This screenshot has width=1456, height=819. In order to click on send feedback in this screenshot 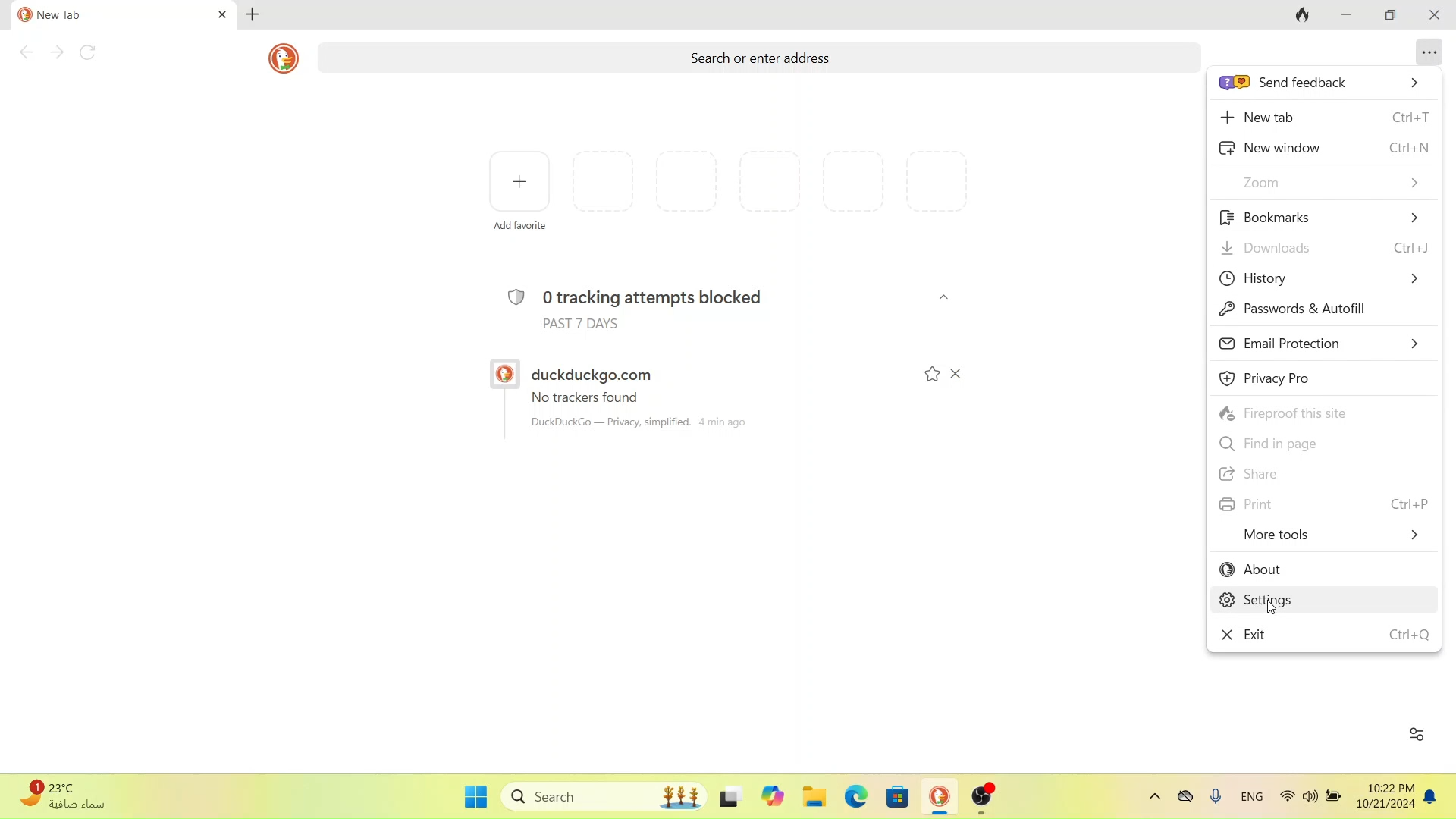, I will do `click(1323, 81)`.